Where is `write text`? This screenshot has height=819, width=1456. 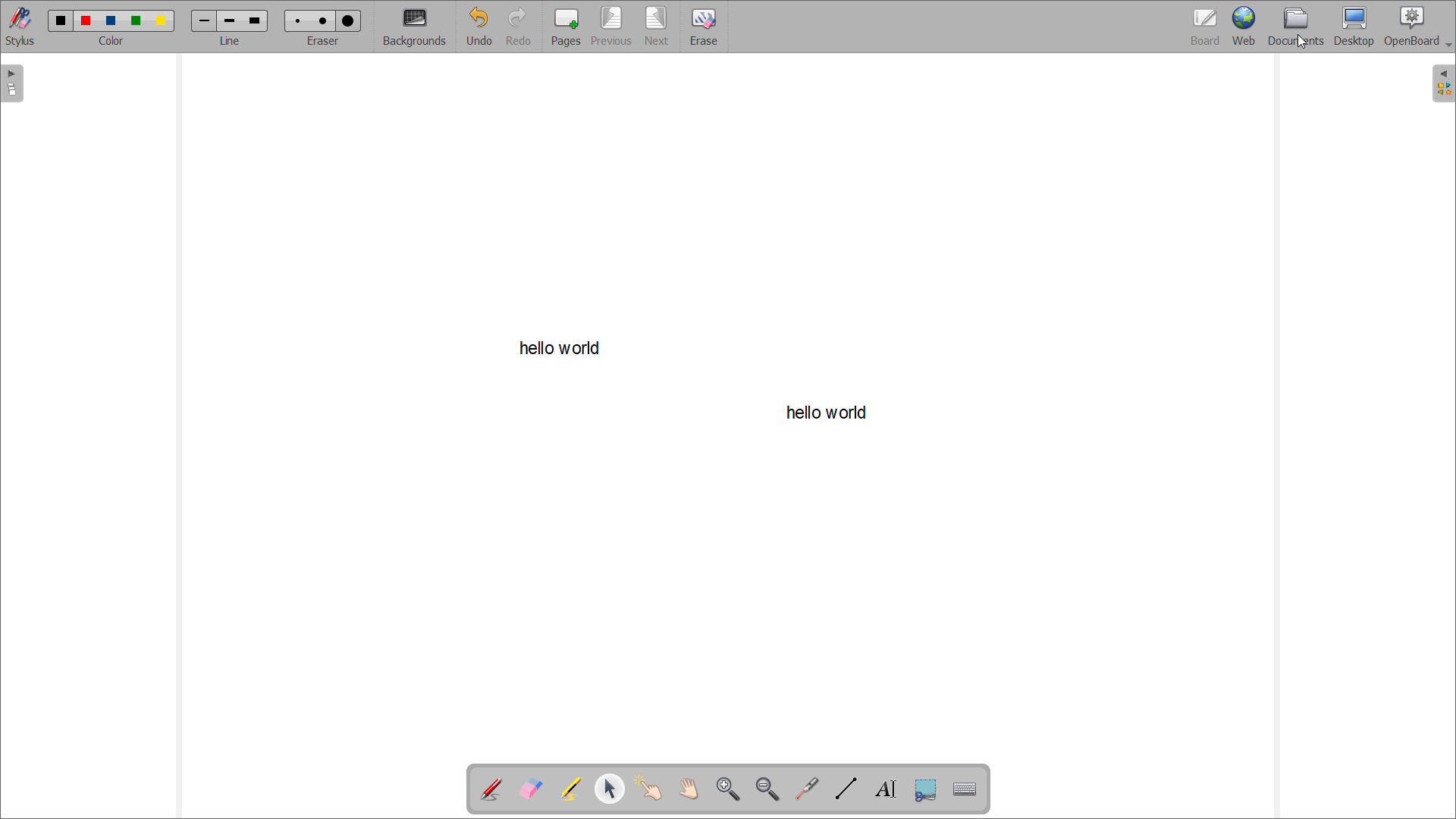
write text is located at coordinates (886, 789).